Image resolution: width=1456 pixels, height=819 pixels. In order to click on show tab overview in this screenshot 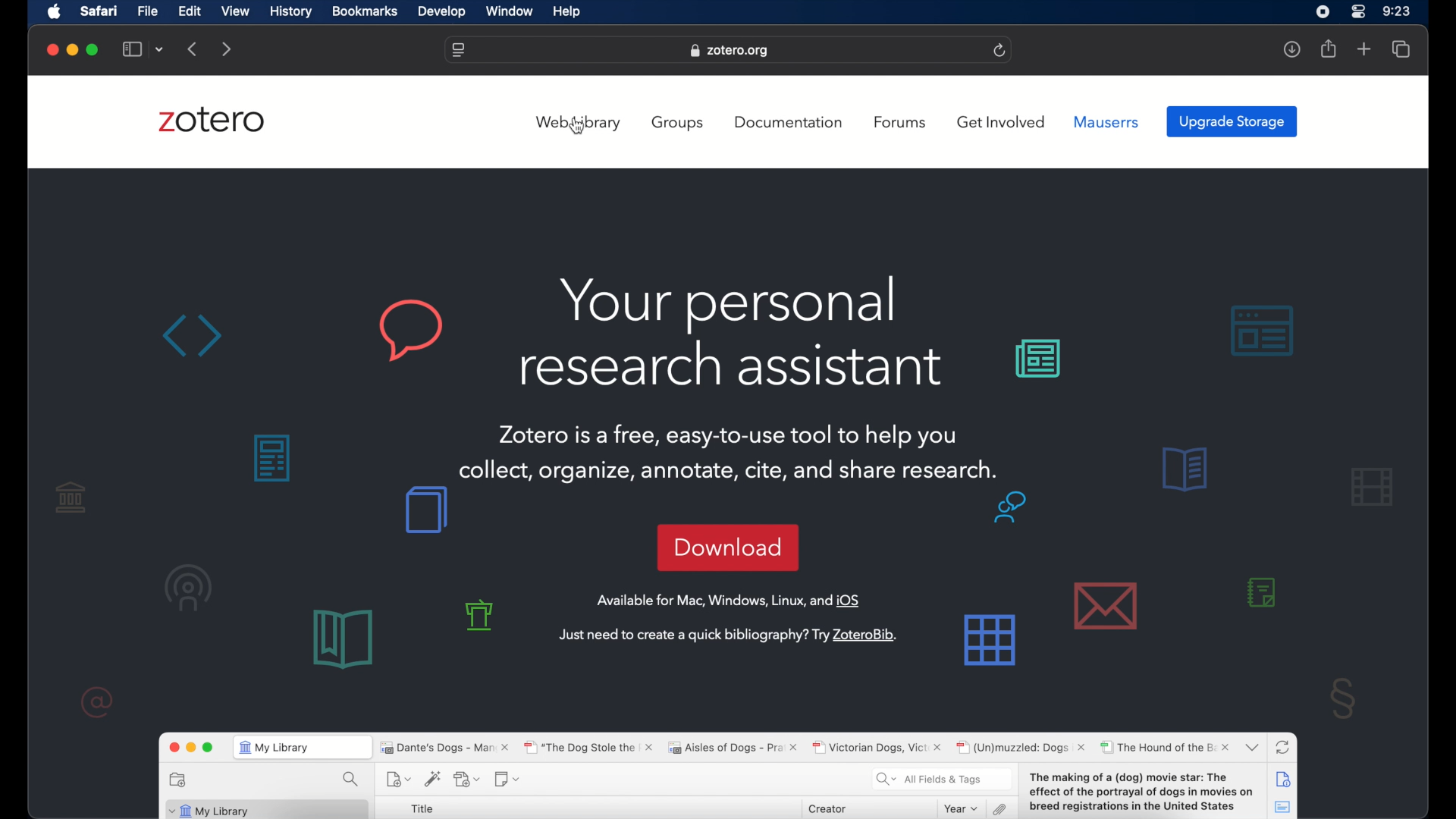, I will do `click(1401, 49)`.